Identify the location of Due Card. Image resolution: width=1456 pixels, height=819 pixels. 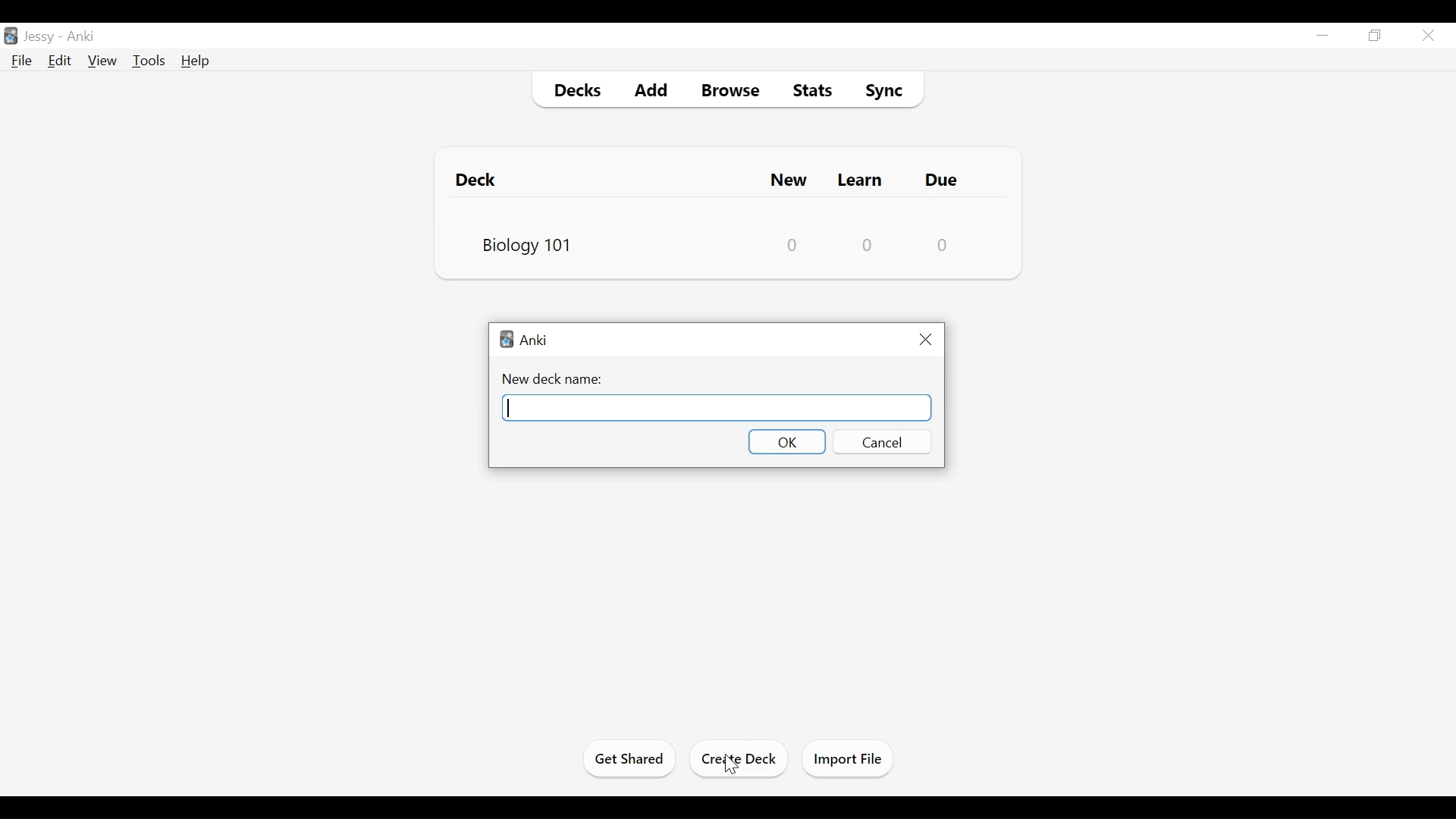
(944, 180).